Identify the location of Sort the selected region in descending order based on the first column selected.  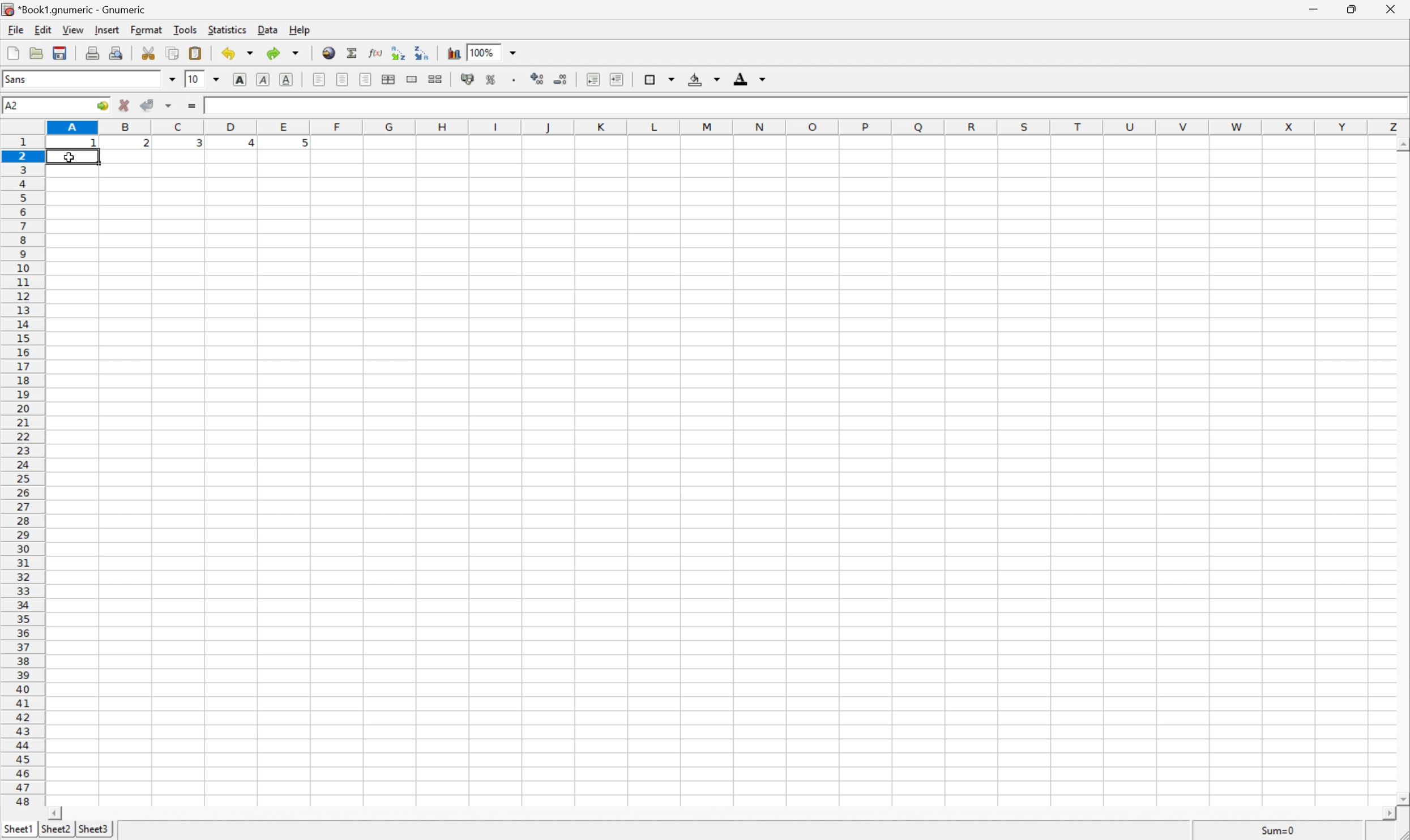
(422, 53).